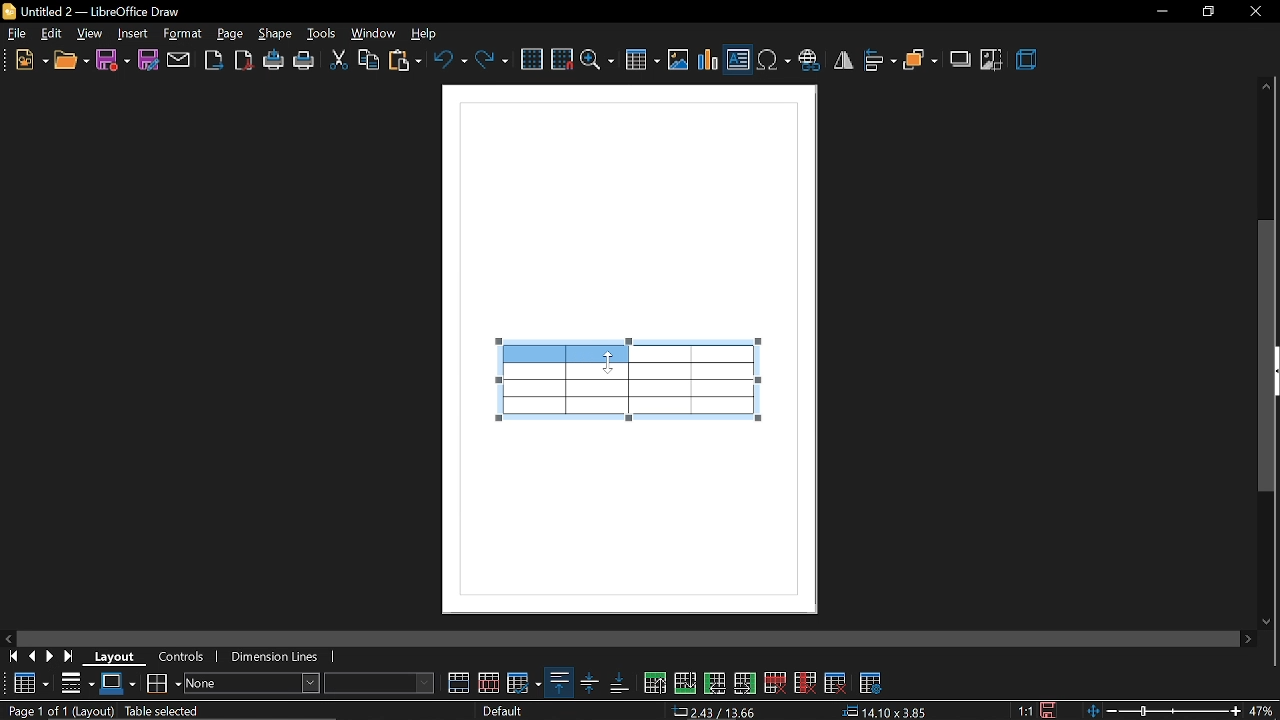 Image resolution: width=1280 pixels, height=720 pixels. Describe the element at coordinates (589, 683) in the screenshot. I see `align center` at that location.